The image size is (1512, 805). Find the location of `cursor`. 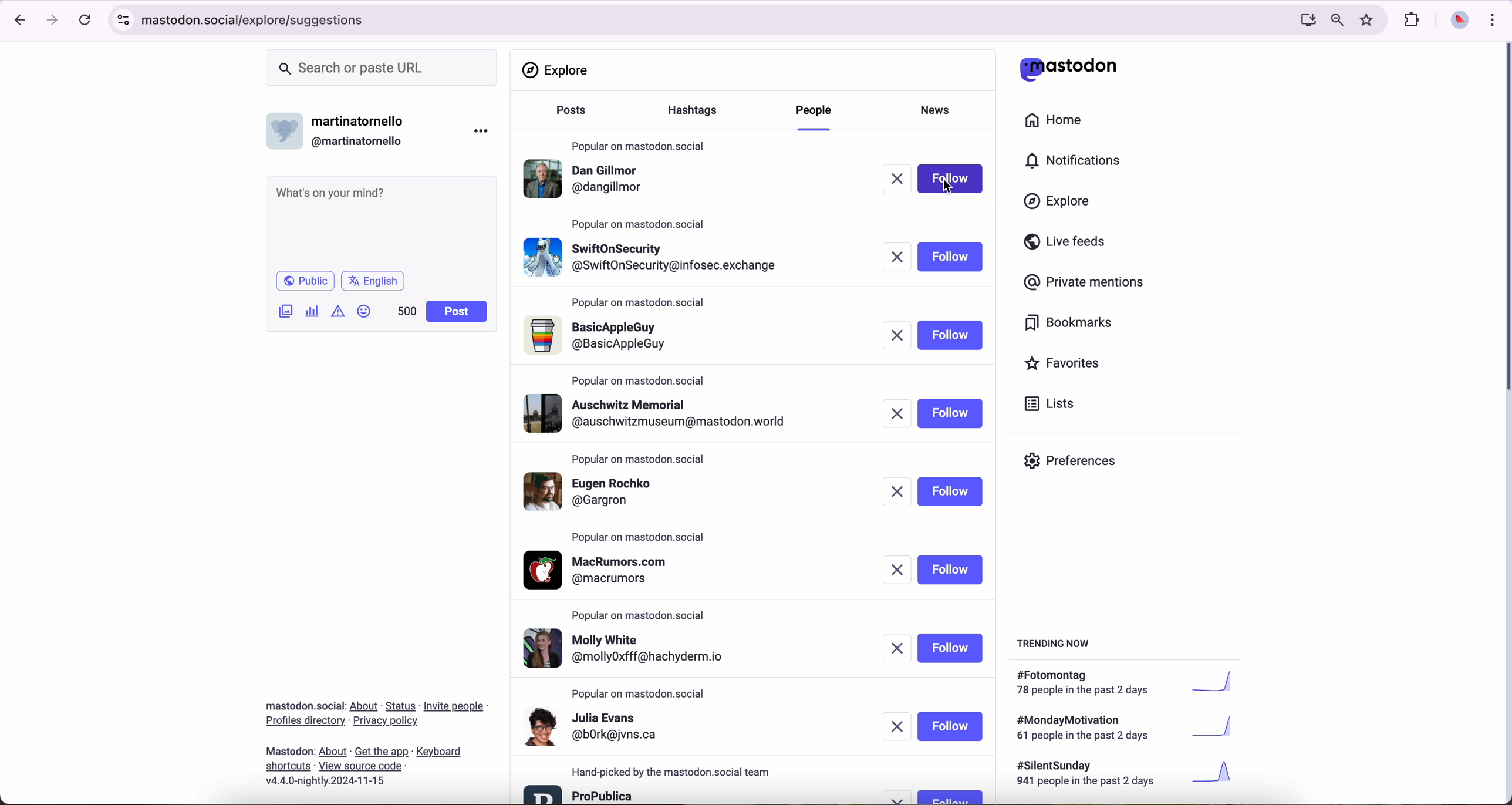

cursor is located at coordinates (949, 186).